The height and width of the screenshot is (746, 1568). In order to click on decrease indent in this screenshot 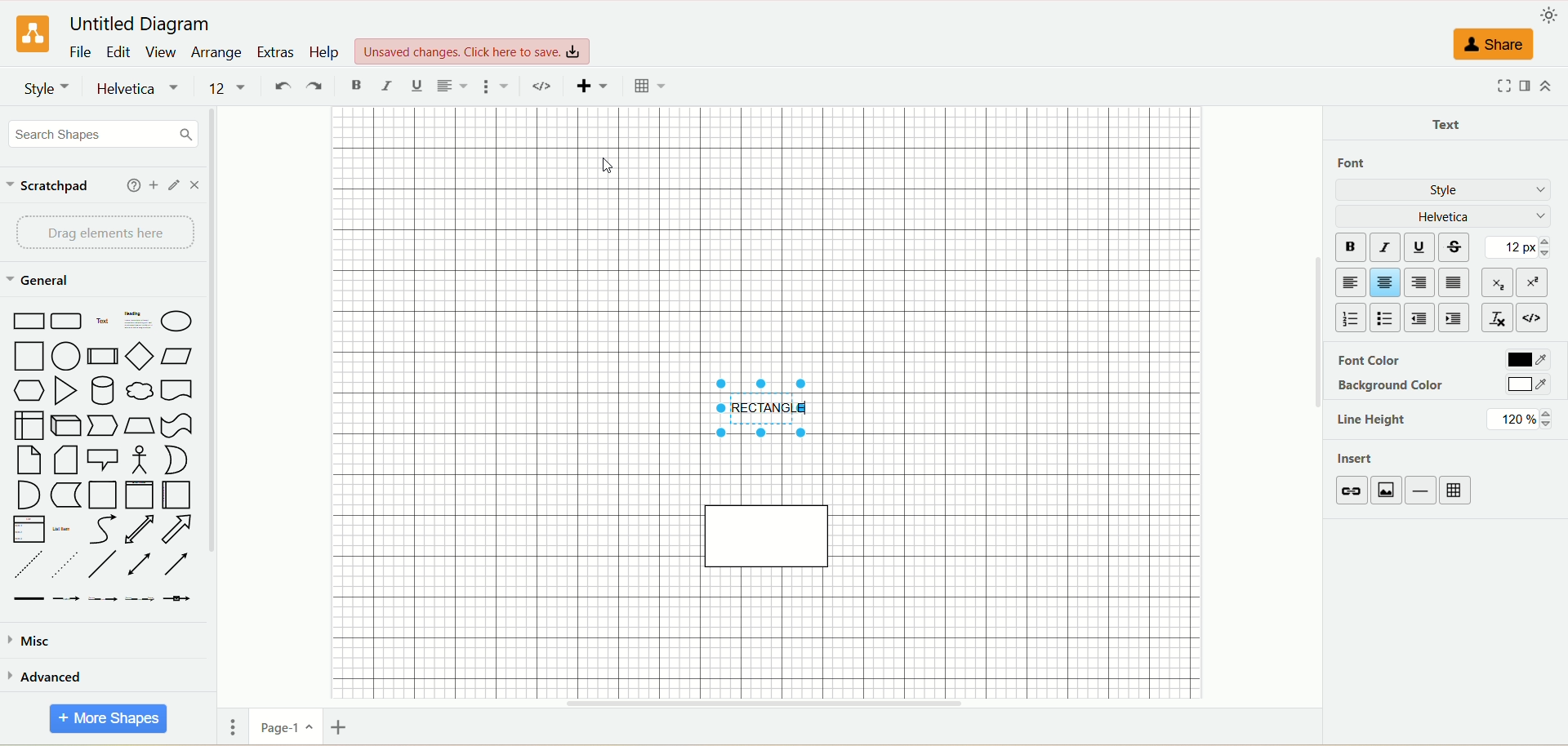, I will do `click(1420, 318)`.